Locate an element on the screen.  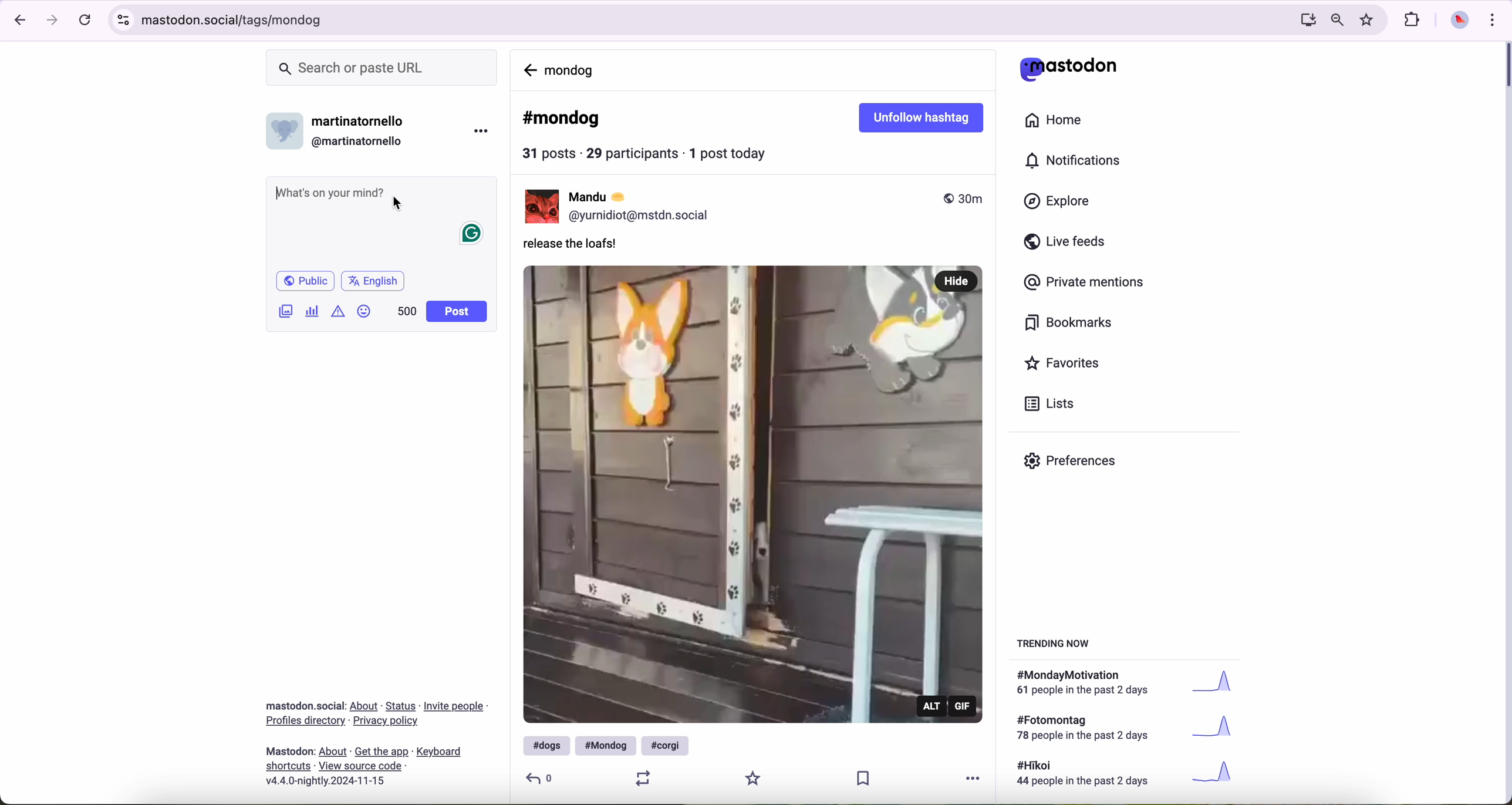
graph is located at coordinates (1221, 685).